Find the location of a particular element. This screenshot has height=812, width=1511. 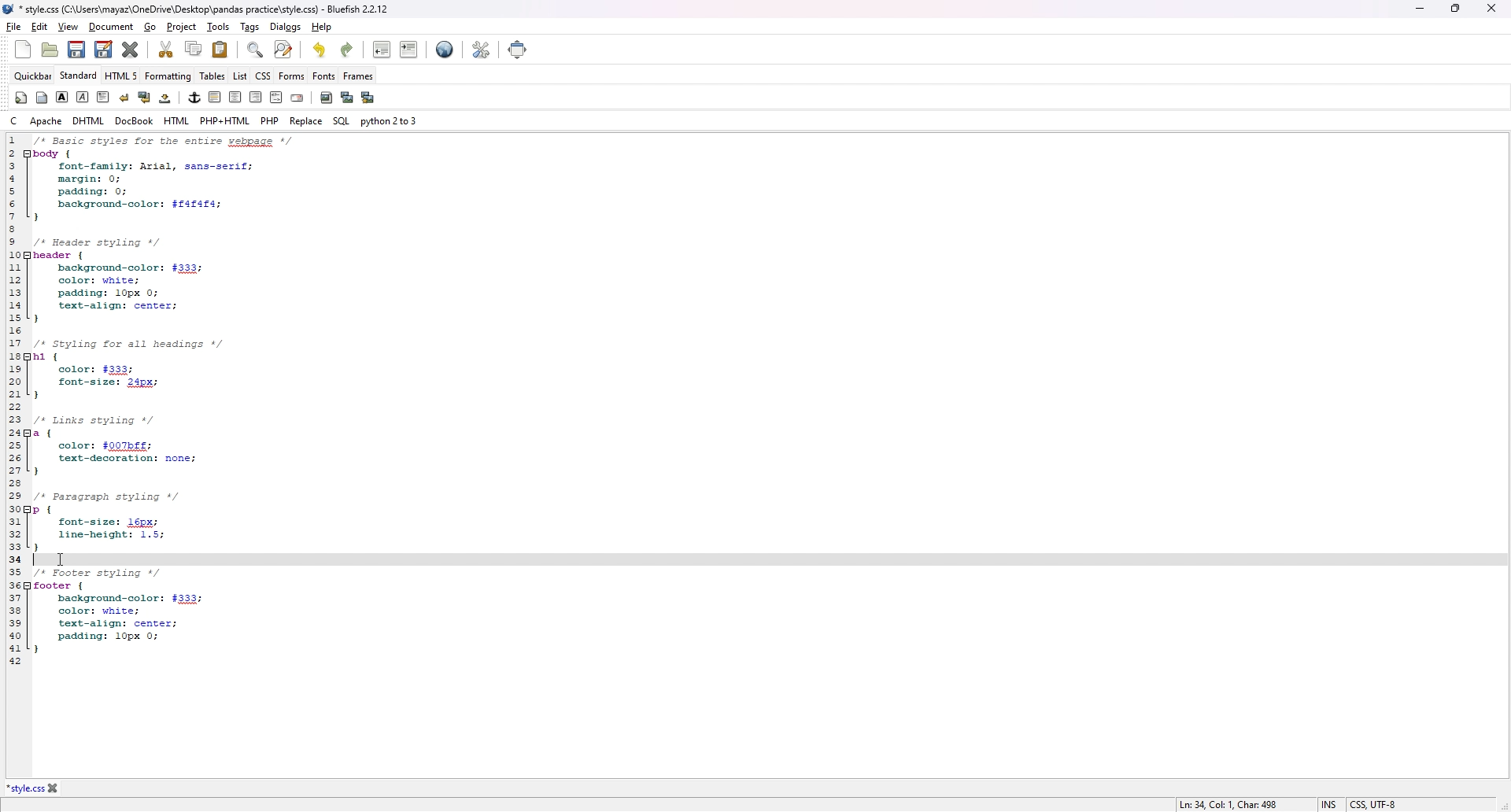

non breaking space is located at coordinates (166, 98).